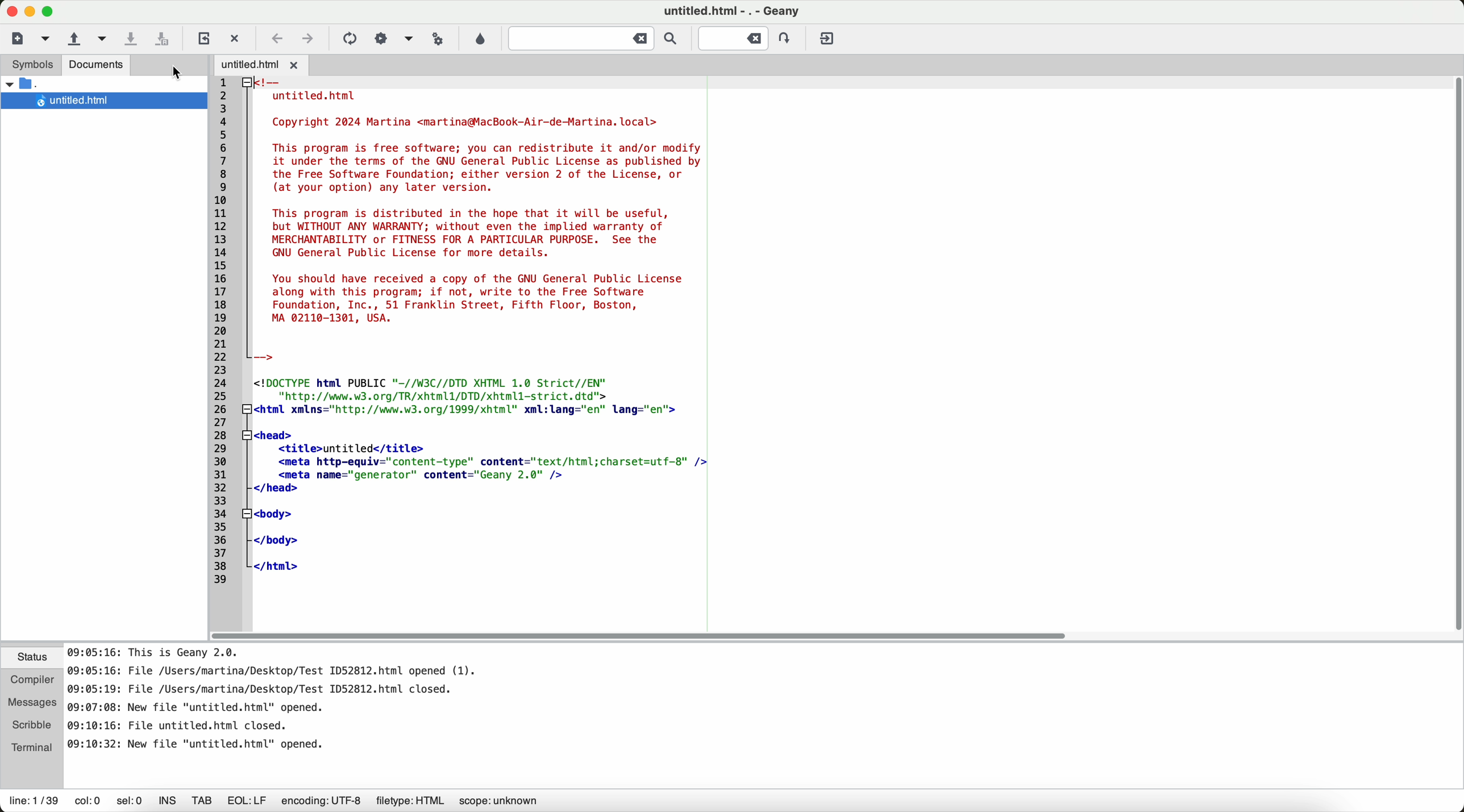  I want to click on compiler, so click(30, 680).